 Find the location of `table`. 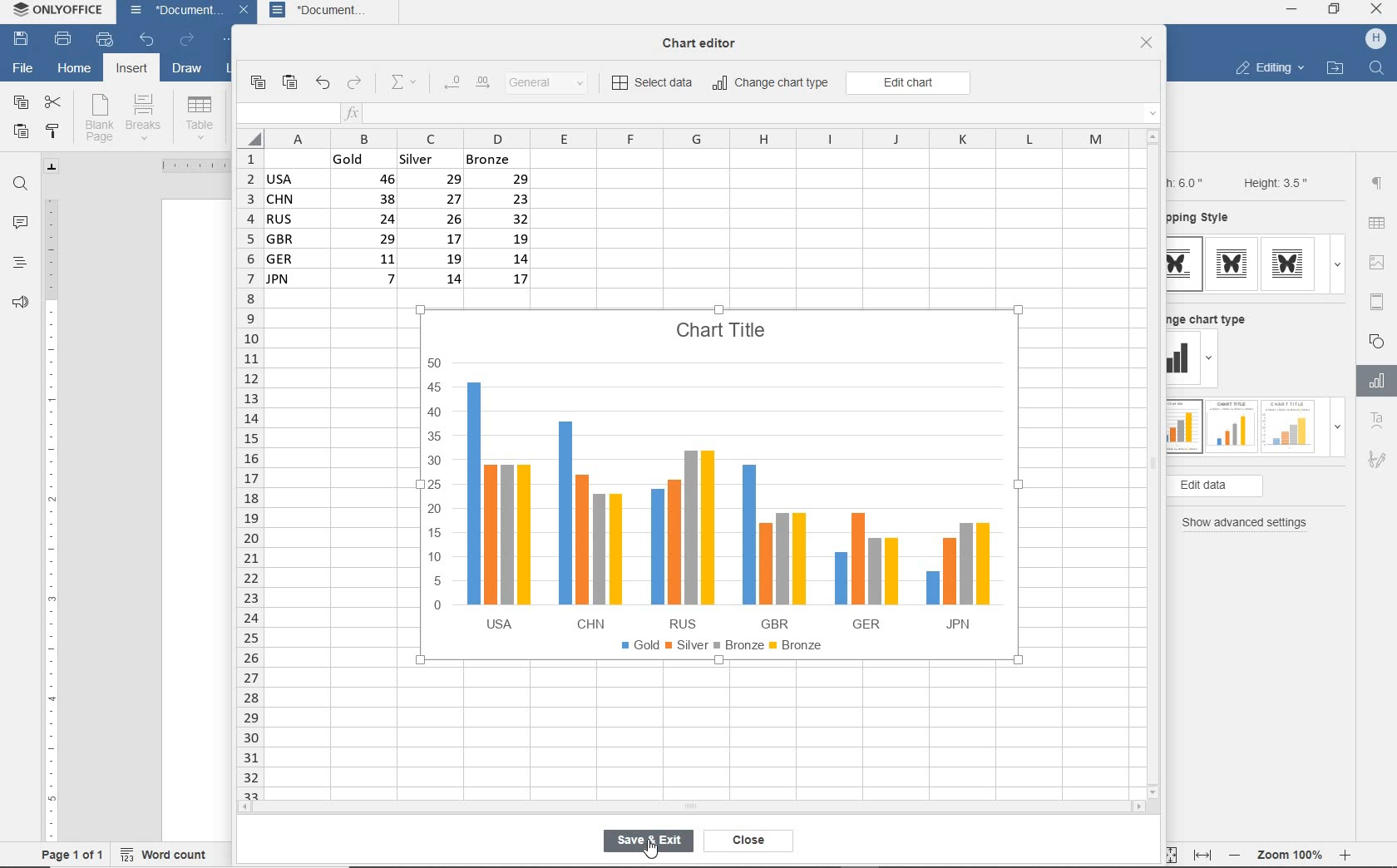

table is located at coordinates (1378, 224).